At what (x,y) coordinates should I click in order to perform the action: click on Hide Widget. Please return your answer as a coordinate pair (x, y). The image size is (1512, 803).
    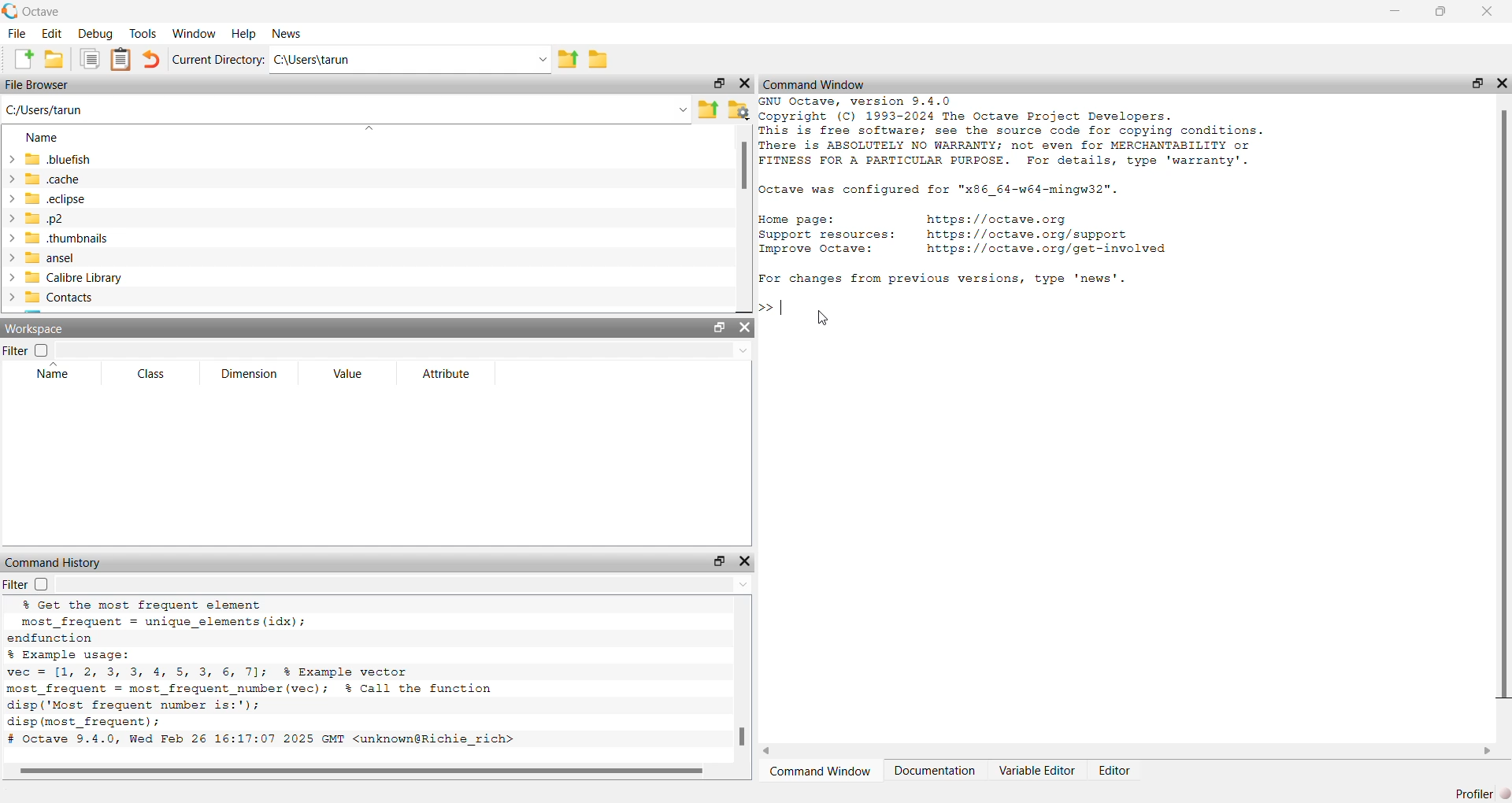
    Looking at the image, I should click on (745, 561).